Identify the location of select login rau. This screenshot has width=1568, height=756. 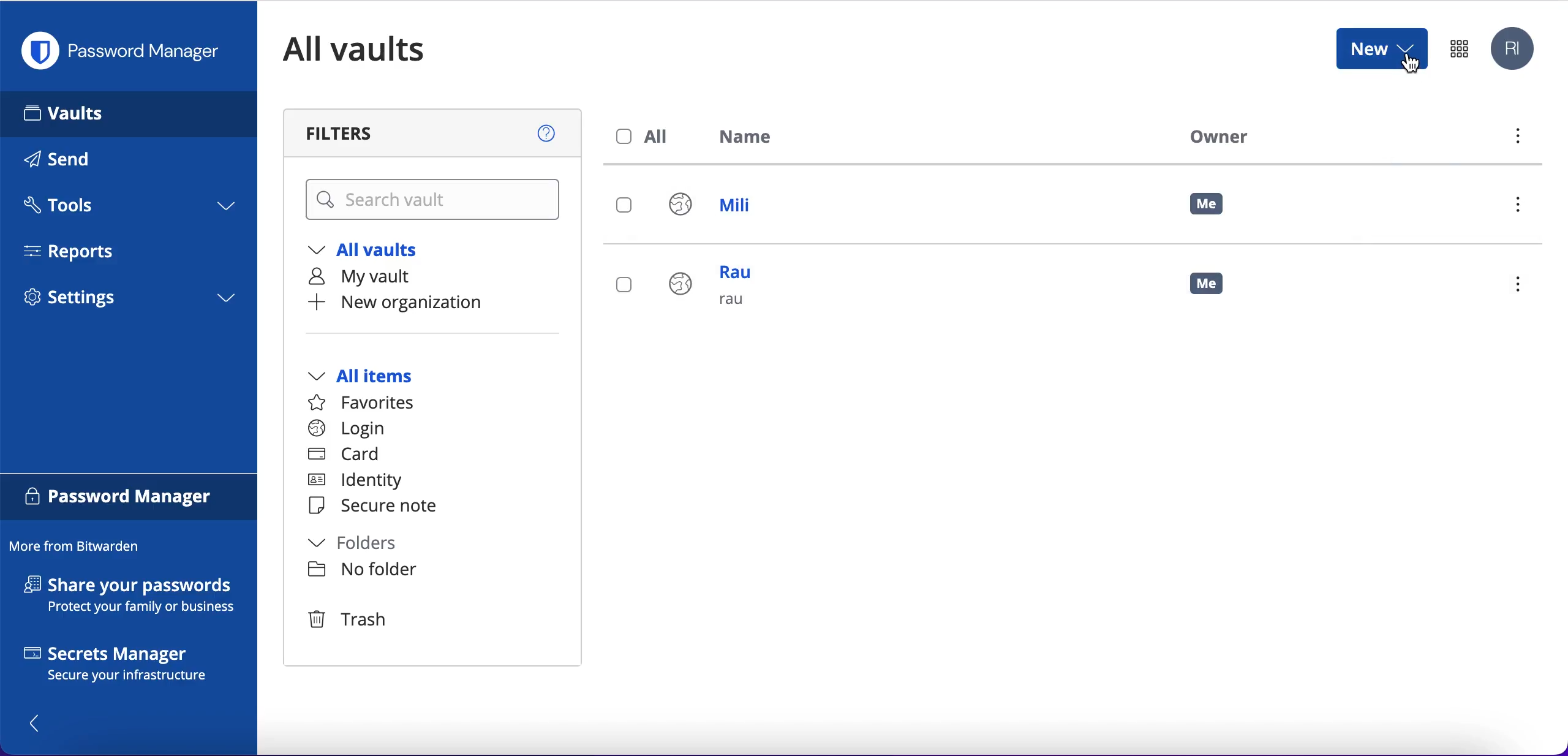
(622, 285).